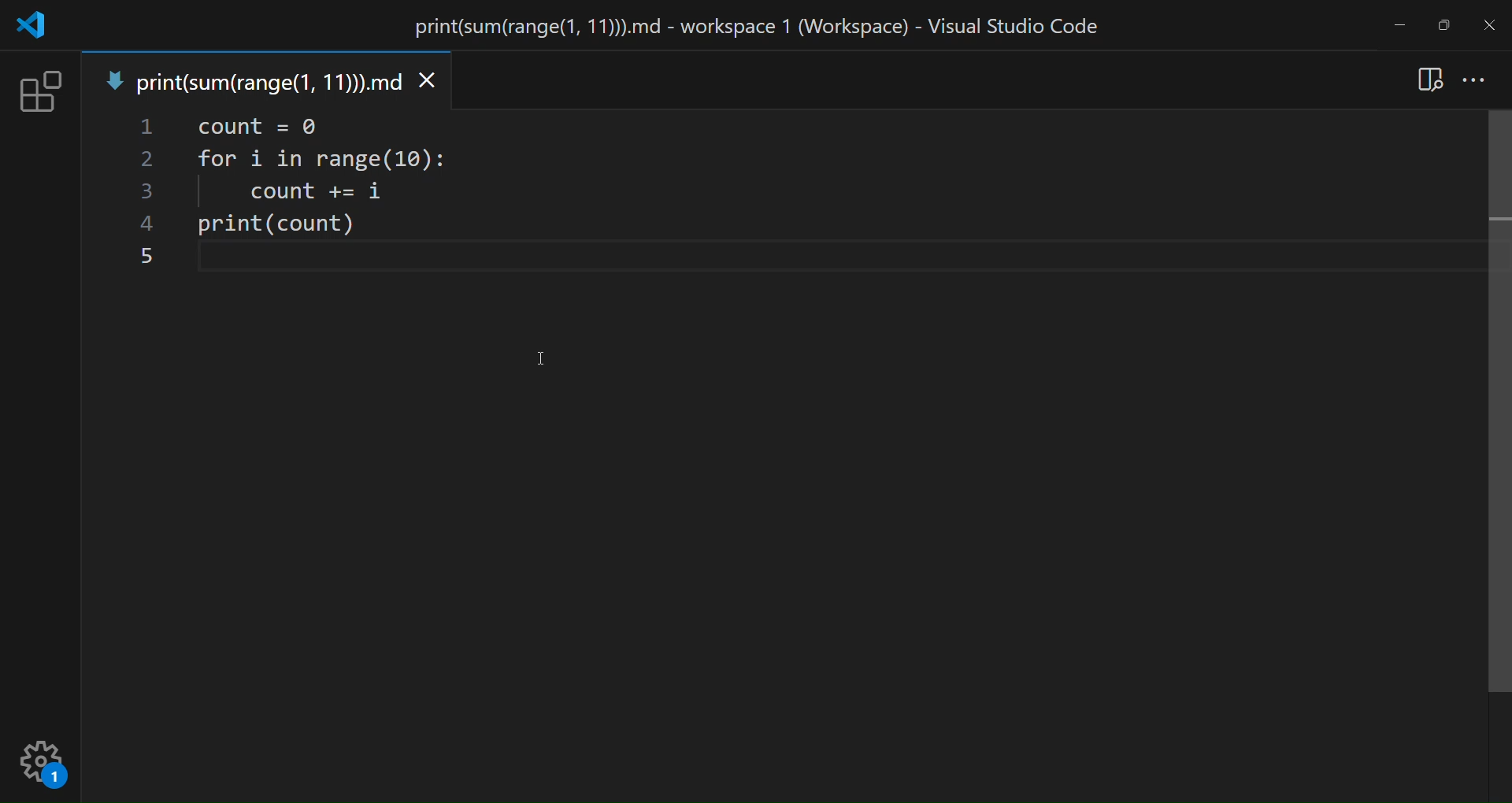 This screenshot has width=1512, height=803. I want to click on title, so click(747, 27).